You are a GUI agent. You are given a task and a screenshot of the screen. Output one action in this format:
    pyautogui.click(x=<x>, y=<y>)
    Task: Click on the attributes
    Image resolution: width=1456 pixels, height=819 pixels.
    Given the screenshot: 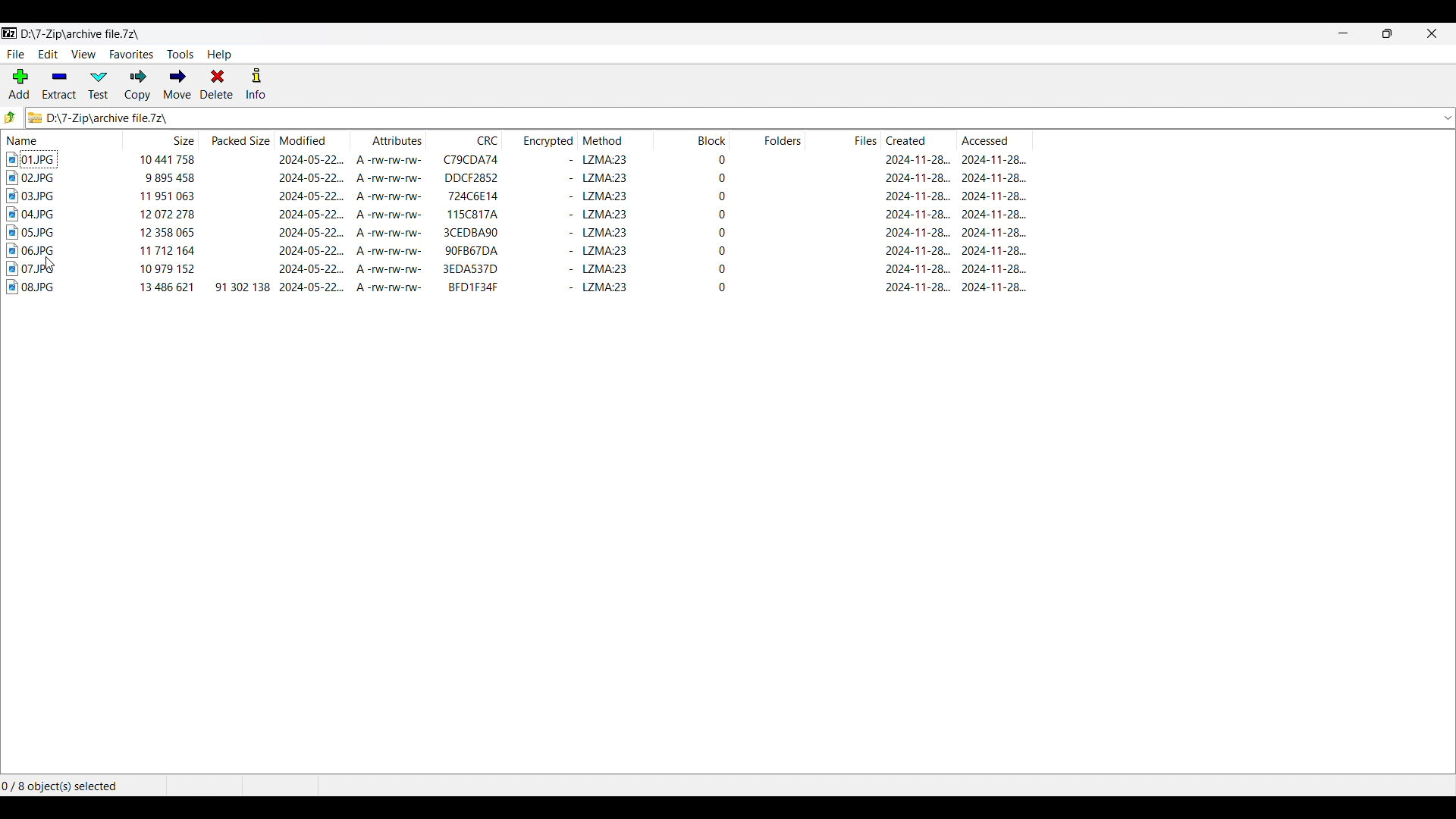 What is the action you would take?
    pyautogui.click(x=389, y=269)
    